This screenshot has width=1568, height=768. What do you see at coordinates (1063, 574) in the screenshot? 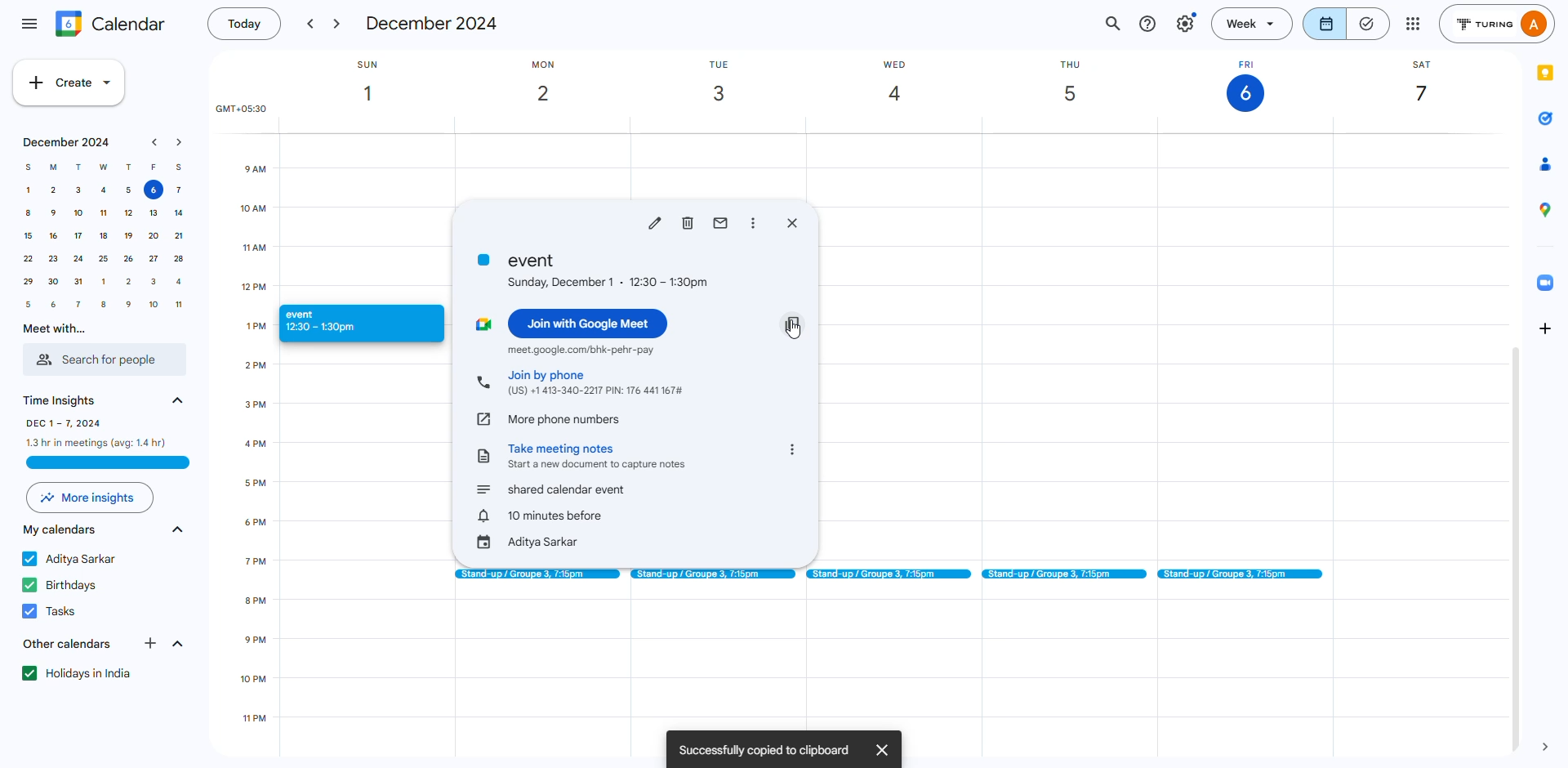
I see `meetings` at bounding box center [1063, 574].